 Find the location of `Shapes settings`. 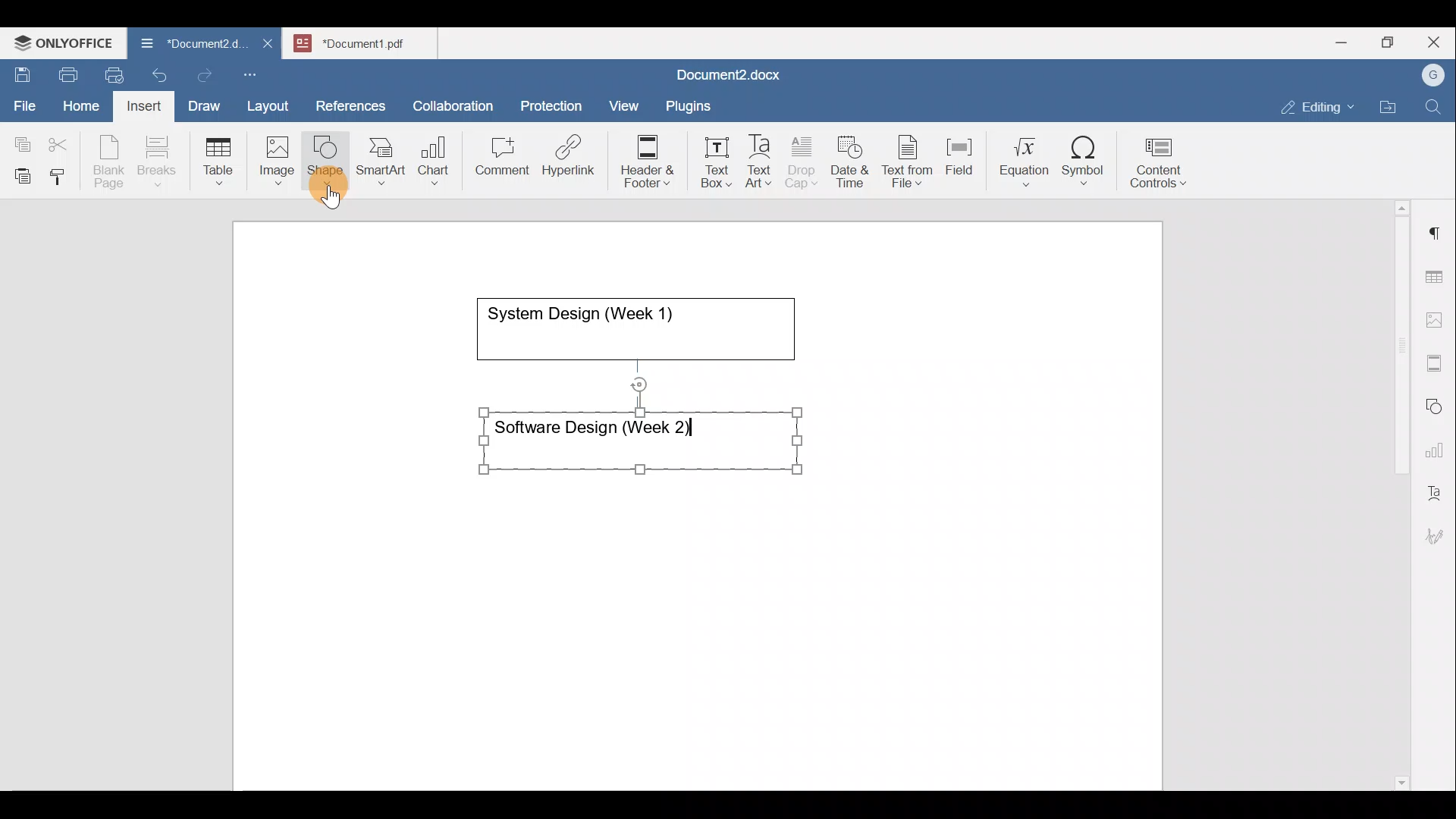

Shapes settings is located at coordinates (1437, 404).